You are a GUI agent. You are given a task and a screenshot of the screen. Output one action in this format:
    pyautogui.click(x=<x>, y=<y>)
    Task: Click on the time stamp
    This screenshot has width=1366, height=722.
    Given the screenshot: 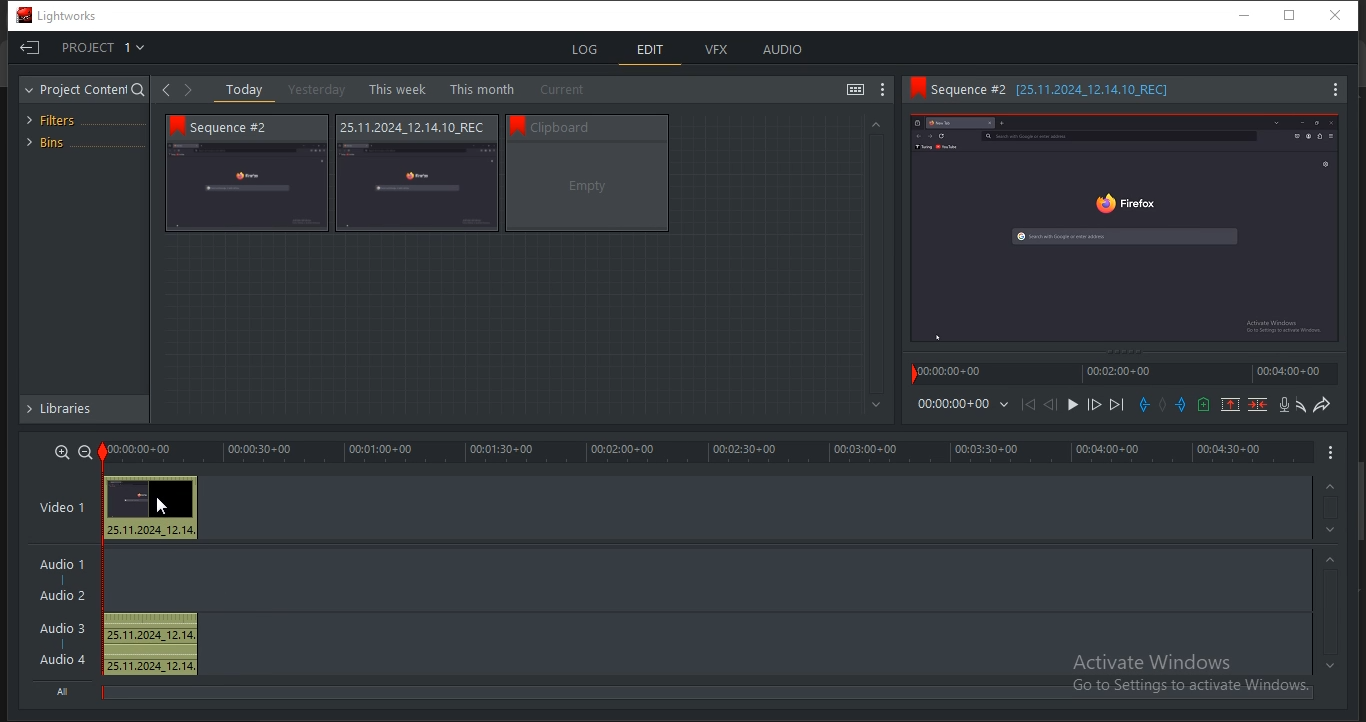 What is the action you would take?
    pyautogui.click(x=951, y=374)
    